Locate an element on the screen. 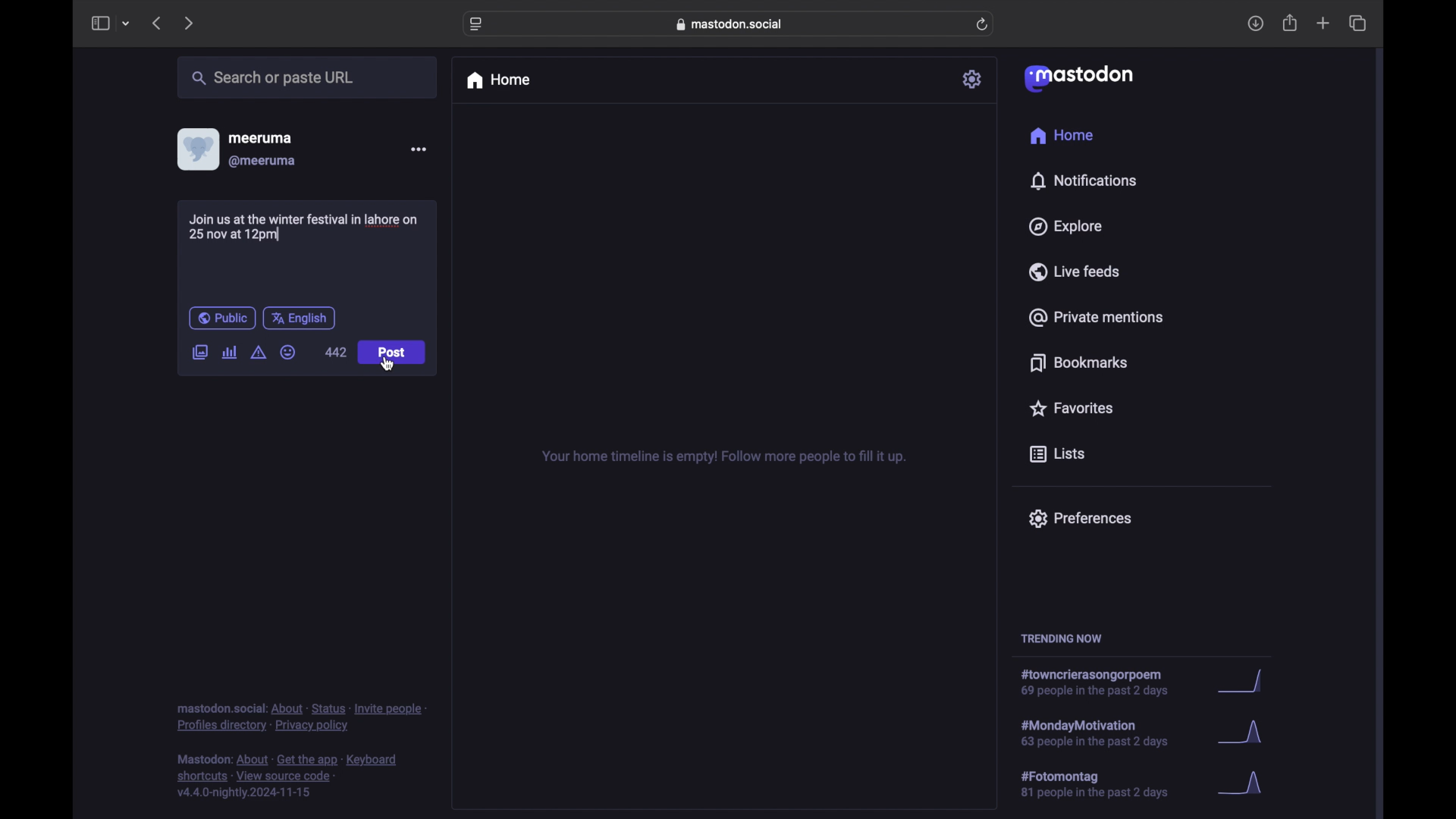 This screenshot has height=819, width=1456. your home timeline is empty! follow more people to fill it up is located at coordinates (723, 457).